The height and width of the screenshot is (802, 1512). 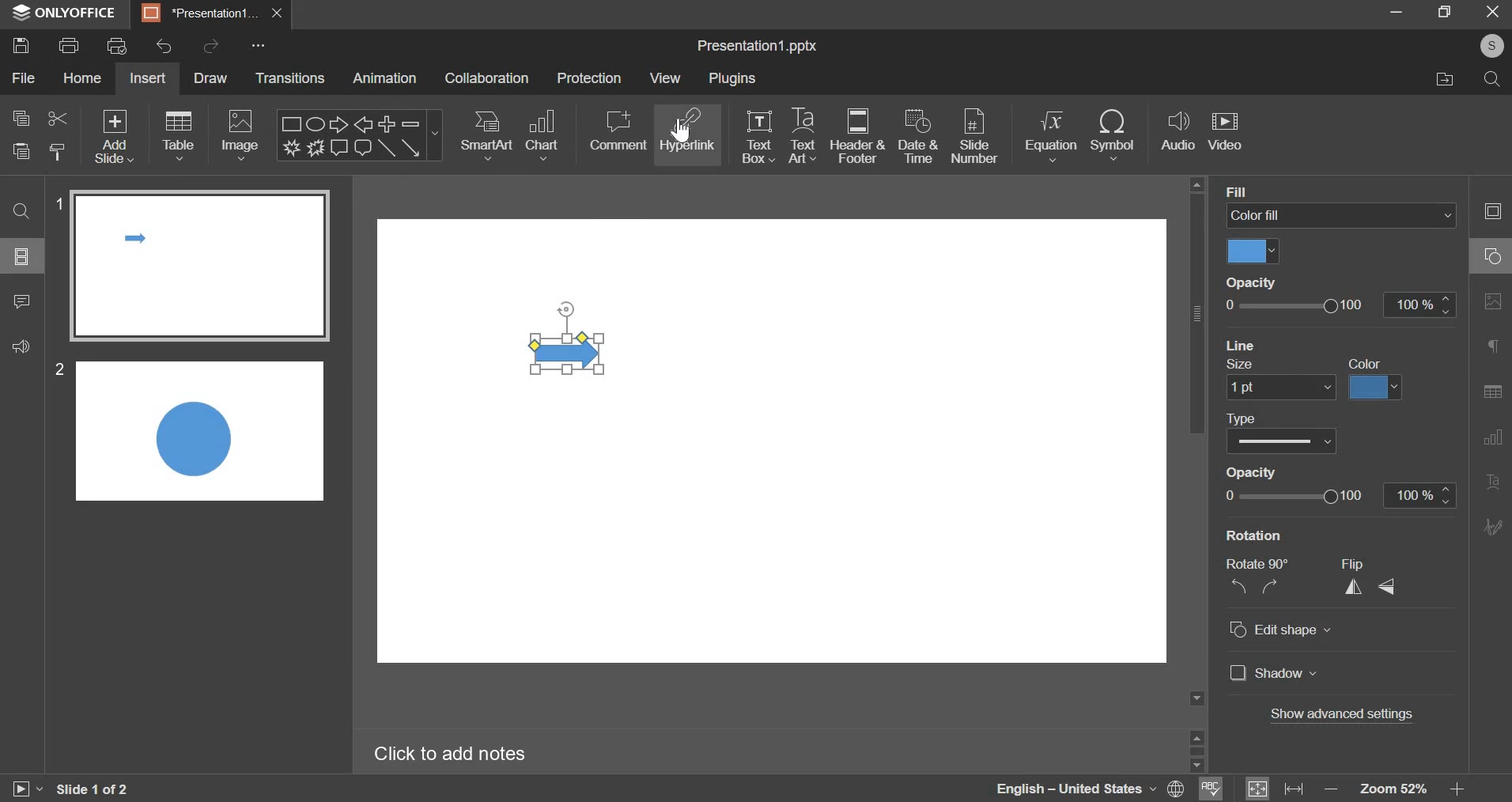 I want to click on smartart, so click(x=488, y=136).